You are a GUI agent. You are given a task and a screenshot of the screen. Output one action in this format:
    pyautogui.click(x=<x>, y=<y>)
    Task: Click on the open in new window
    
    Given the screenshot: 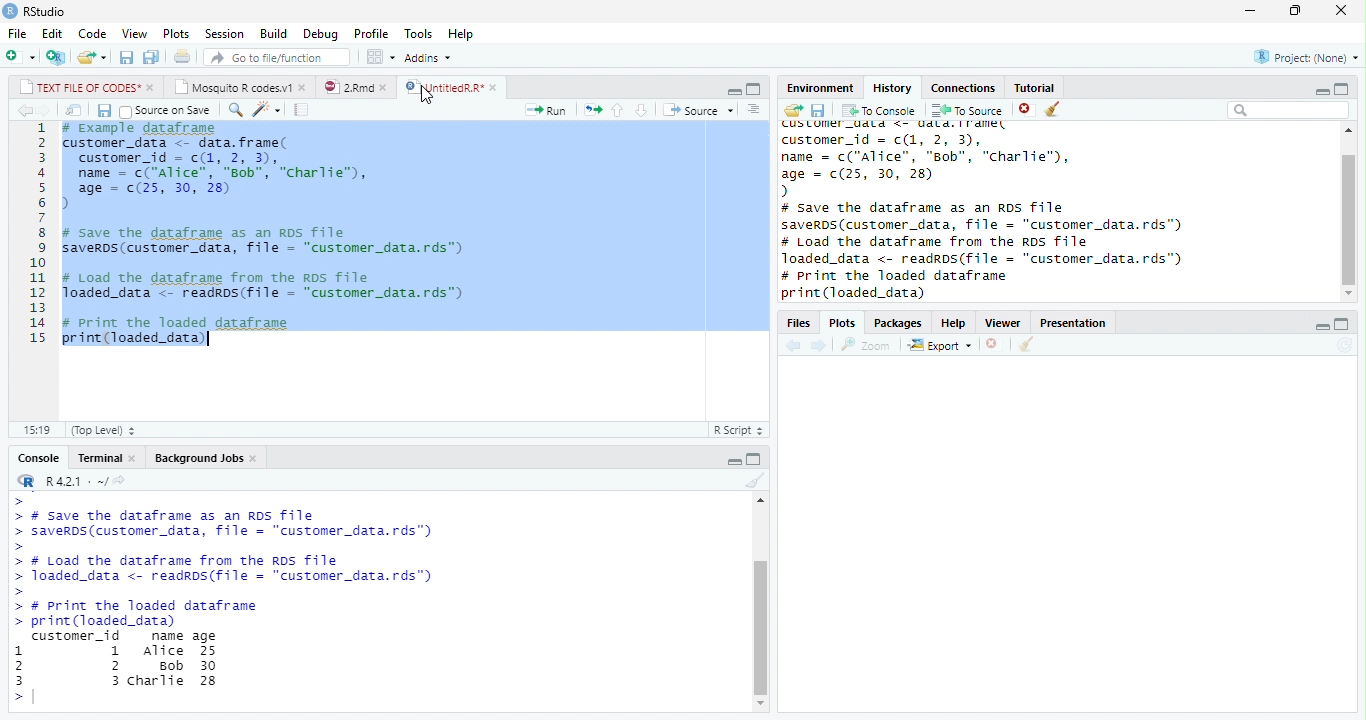 What is the action you would take?
    pyautogui.click(x=75, y=111)
    